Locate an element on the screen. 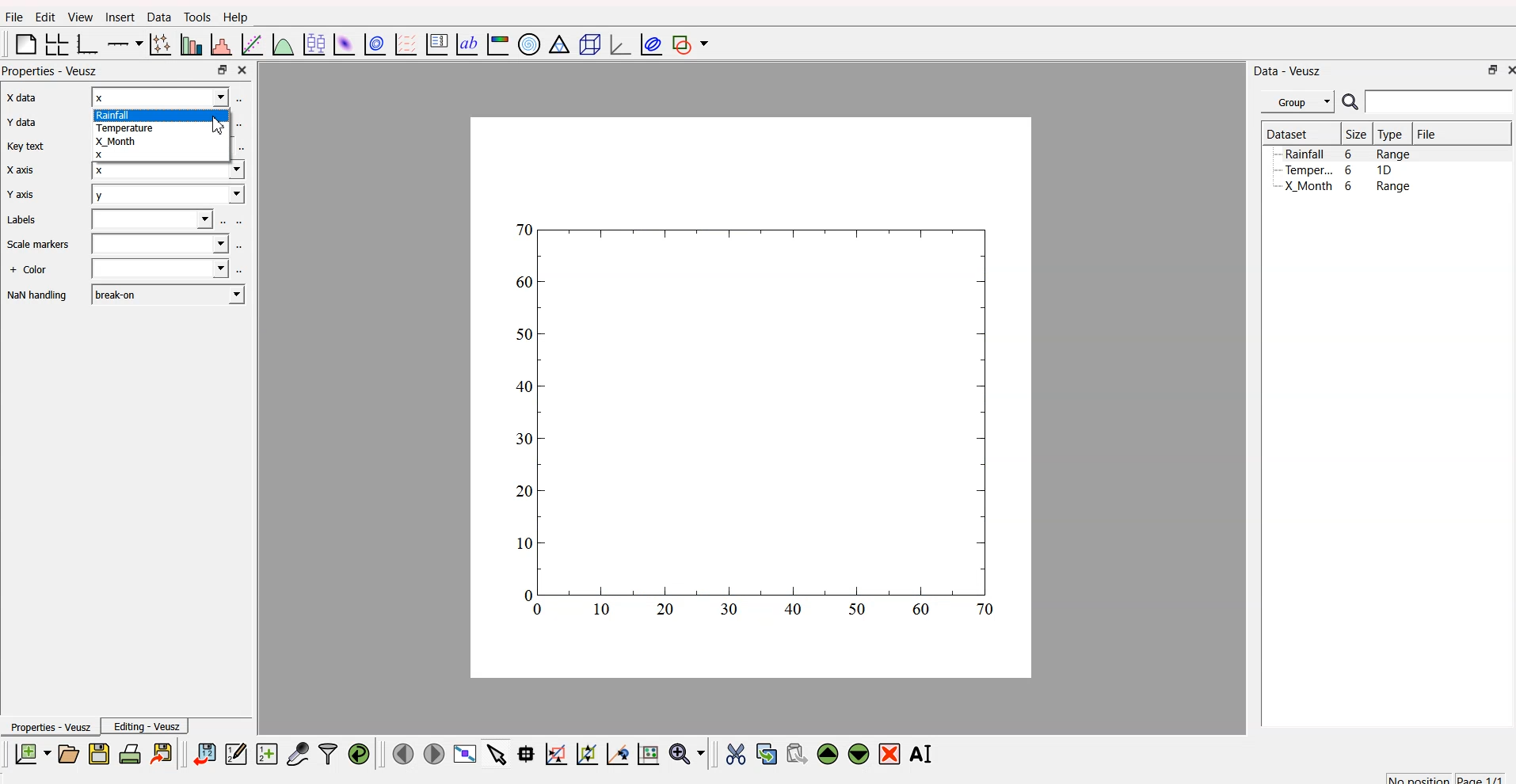 This screenshot has height=784, width=1516. no position page 1/1 is located at coordinates (1445, 775).